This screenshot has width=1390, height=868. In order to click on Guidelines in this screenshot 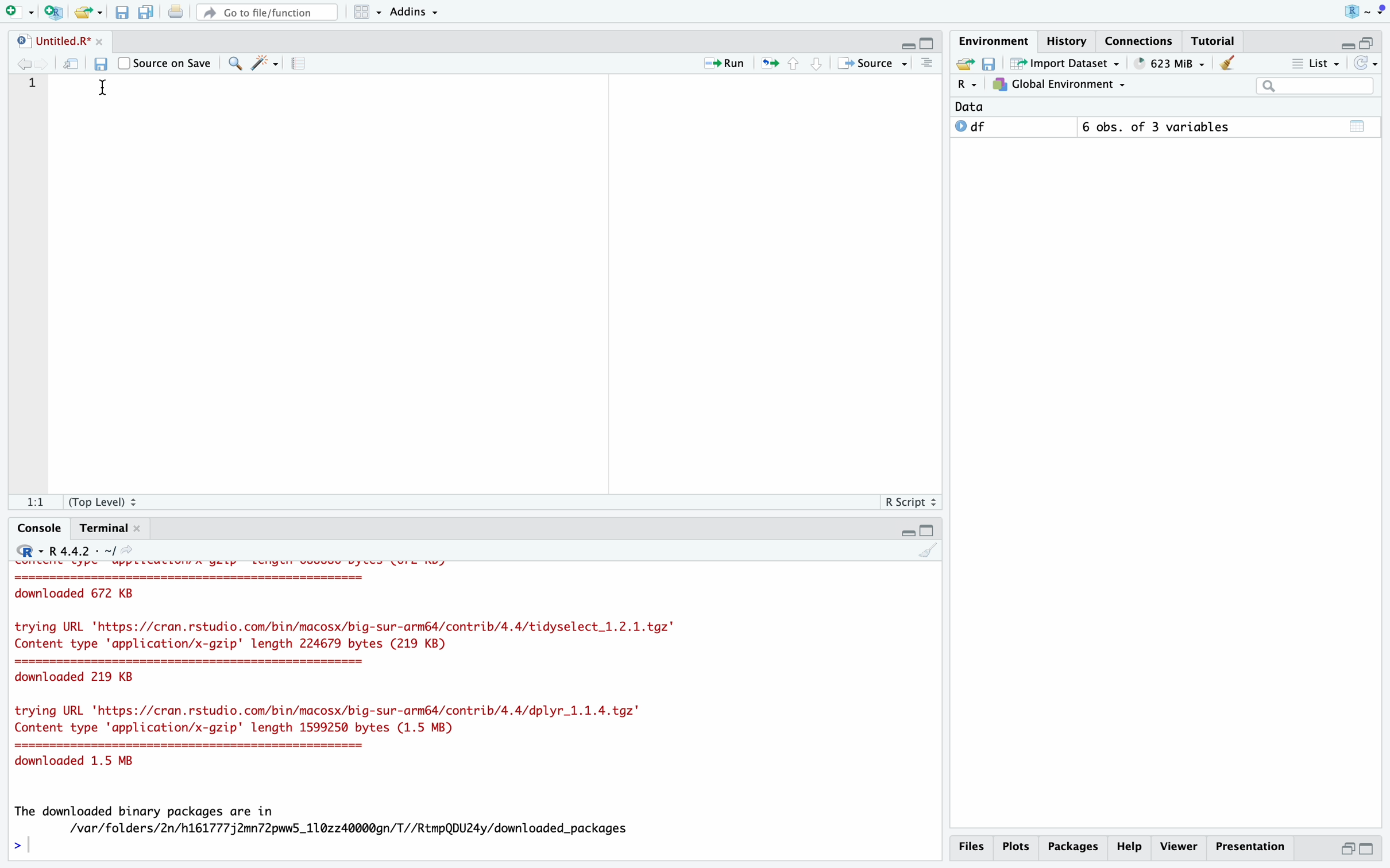, I will do `click(302, 64)`.